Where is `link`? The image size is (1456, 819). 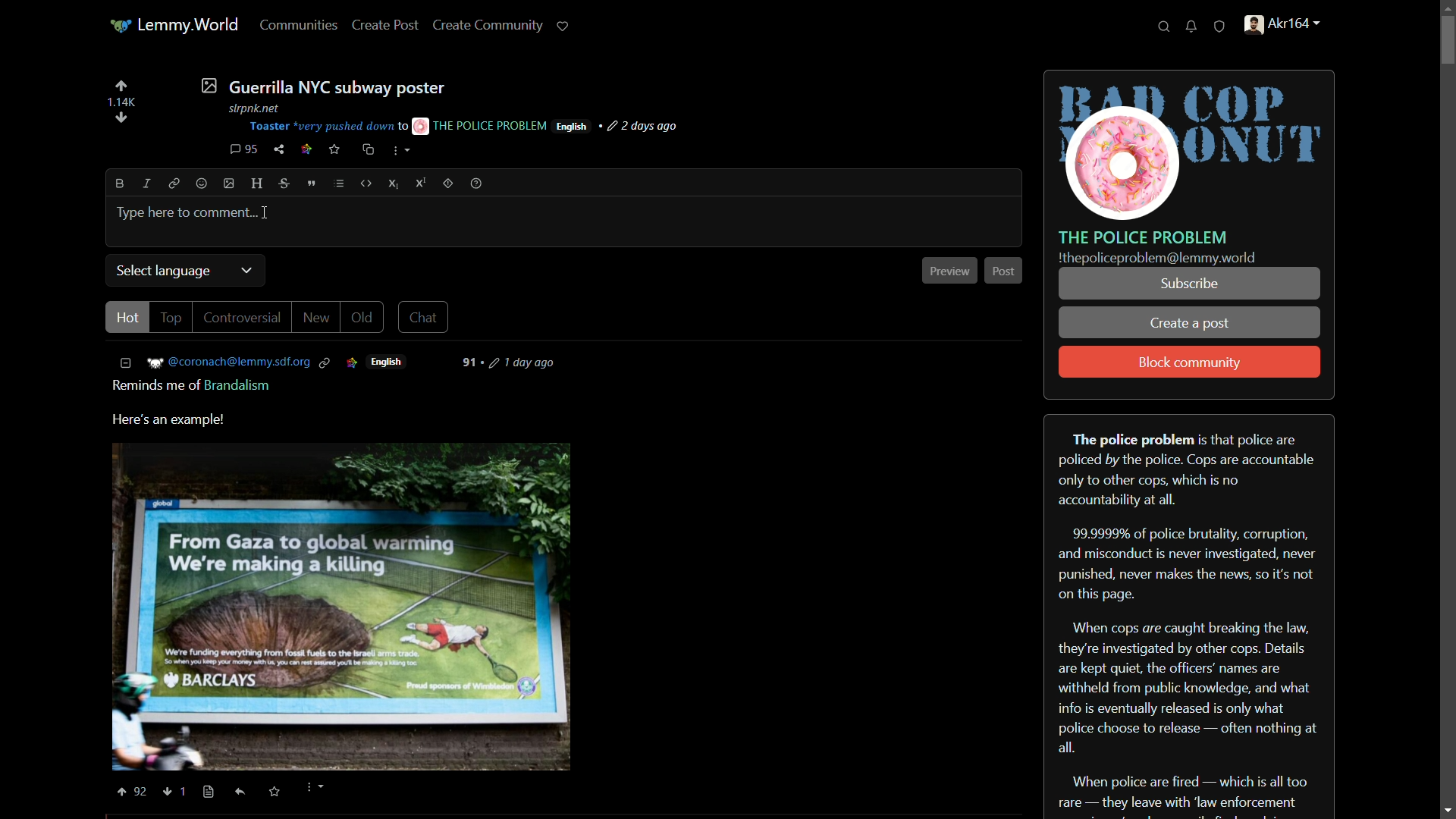
link is located at coordinates (171, 183).